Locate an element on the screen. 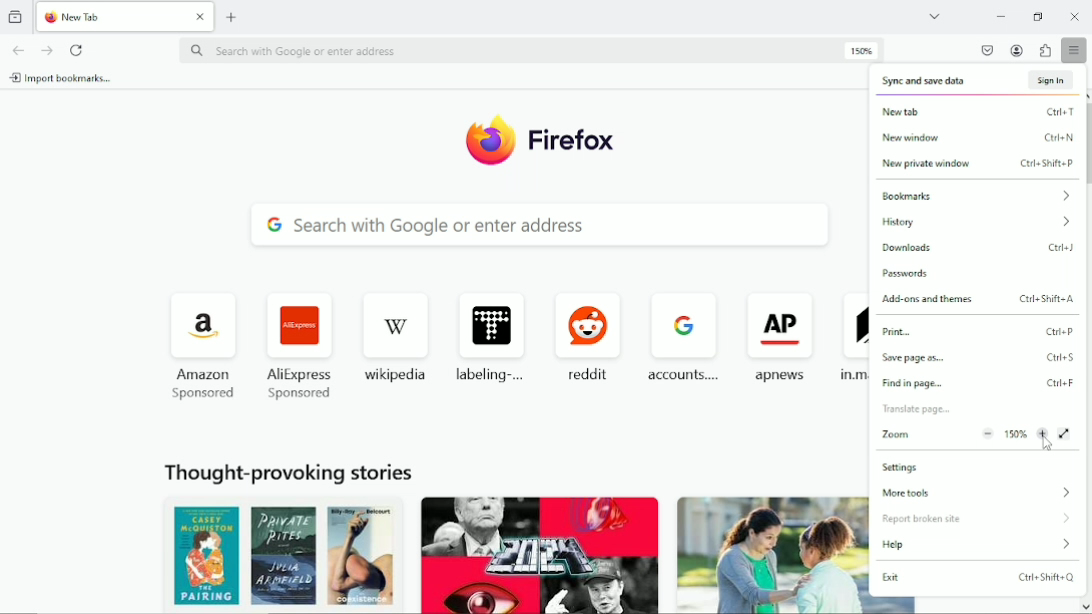  Help is located at coordinates (982, 545).